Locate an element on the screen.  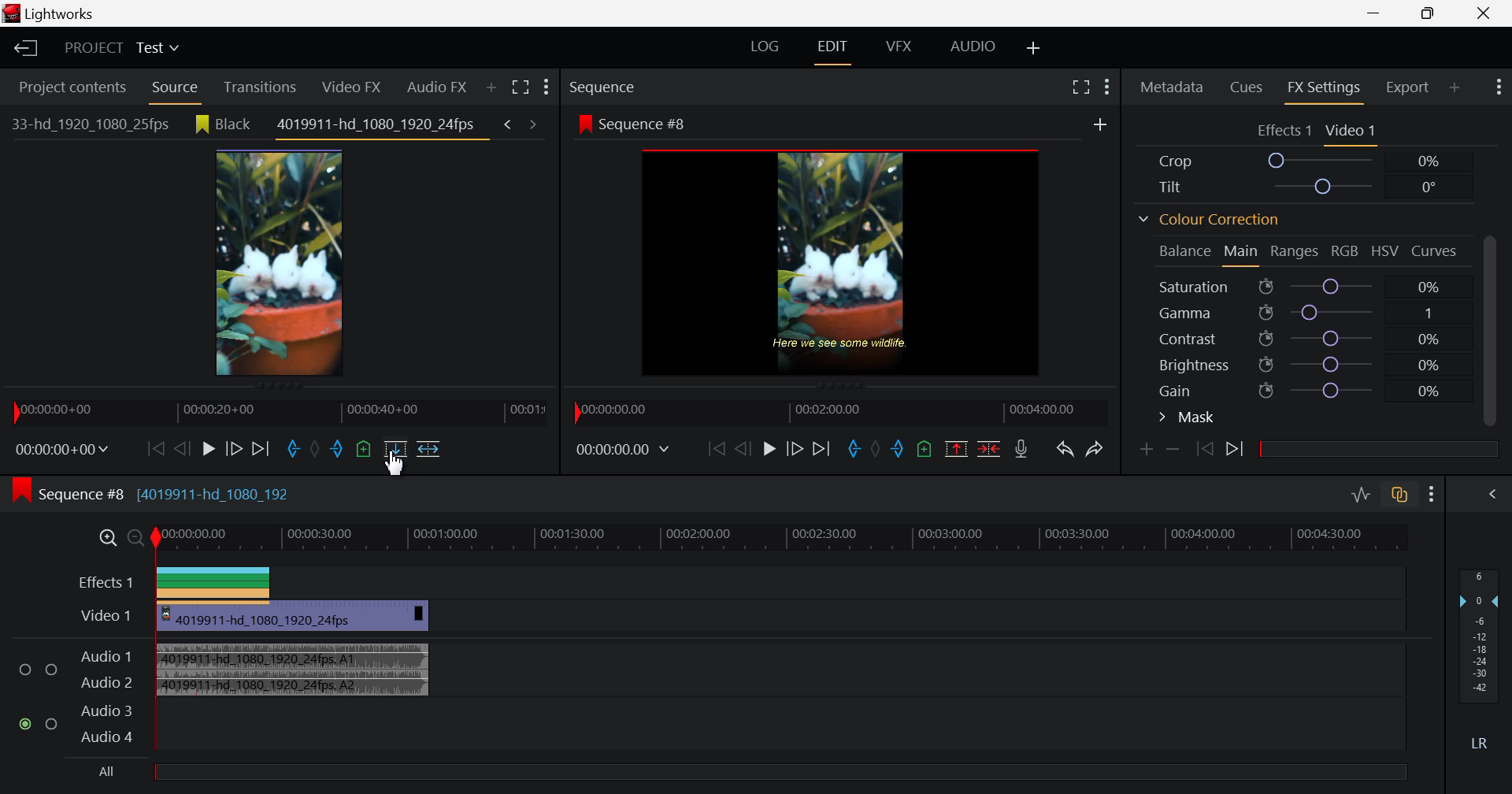
Next keyframe is located at coordinates (1235, 449).